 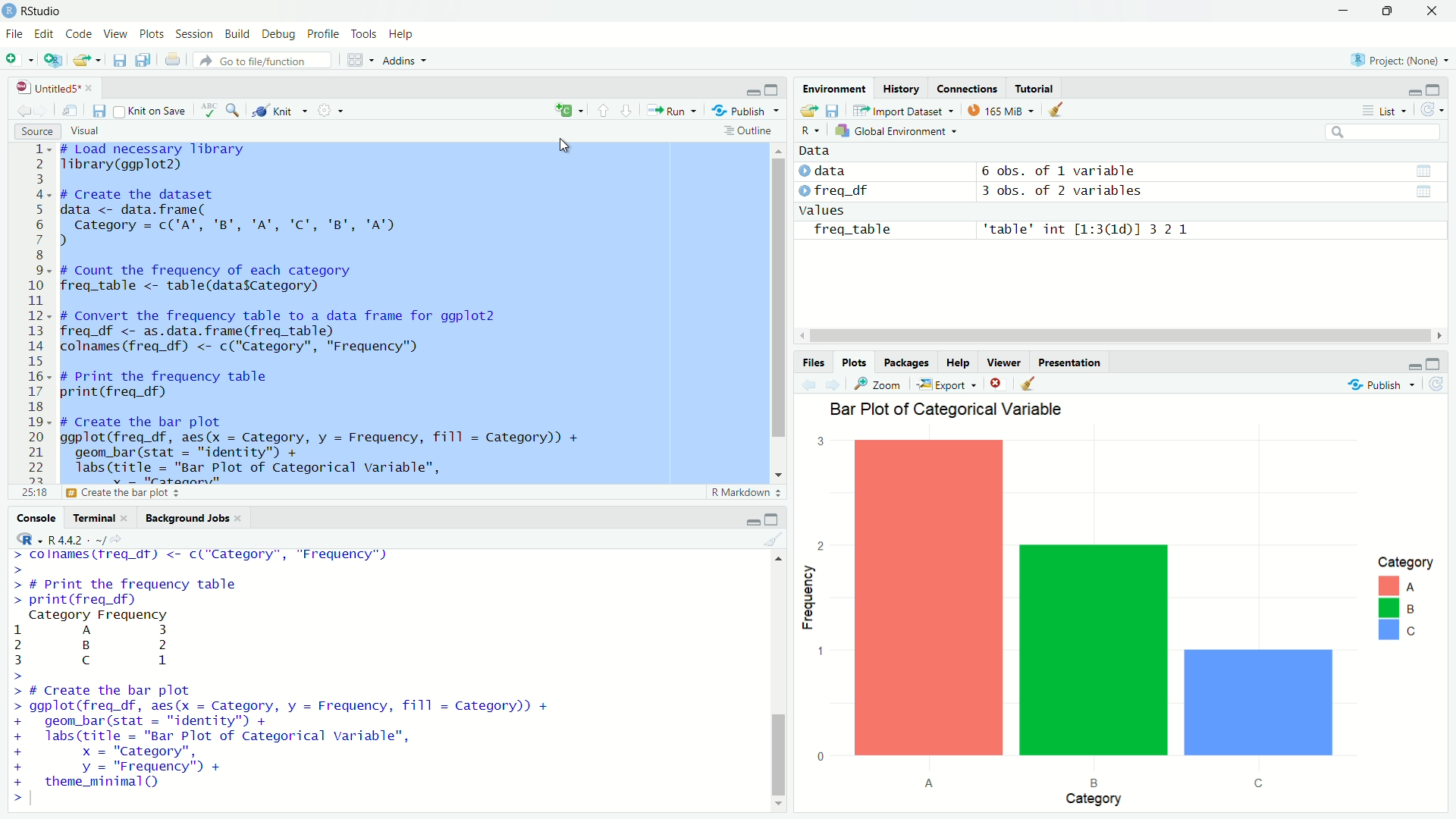 I want to click on history, so click(x=903, y=89).